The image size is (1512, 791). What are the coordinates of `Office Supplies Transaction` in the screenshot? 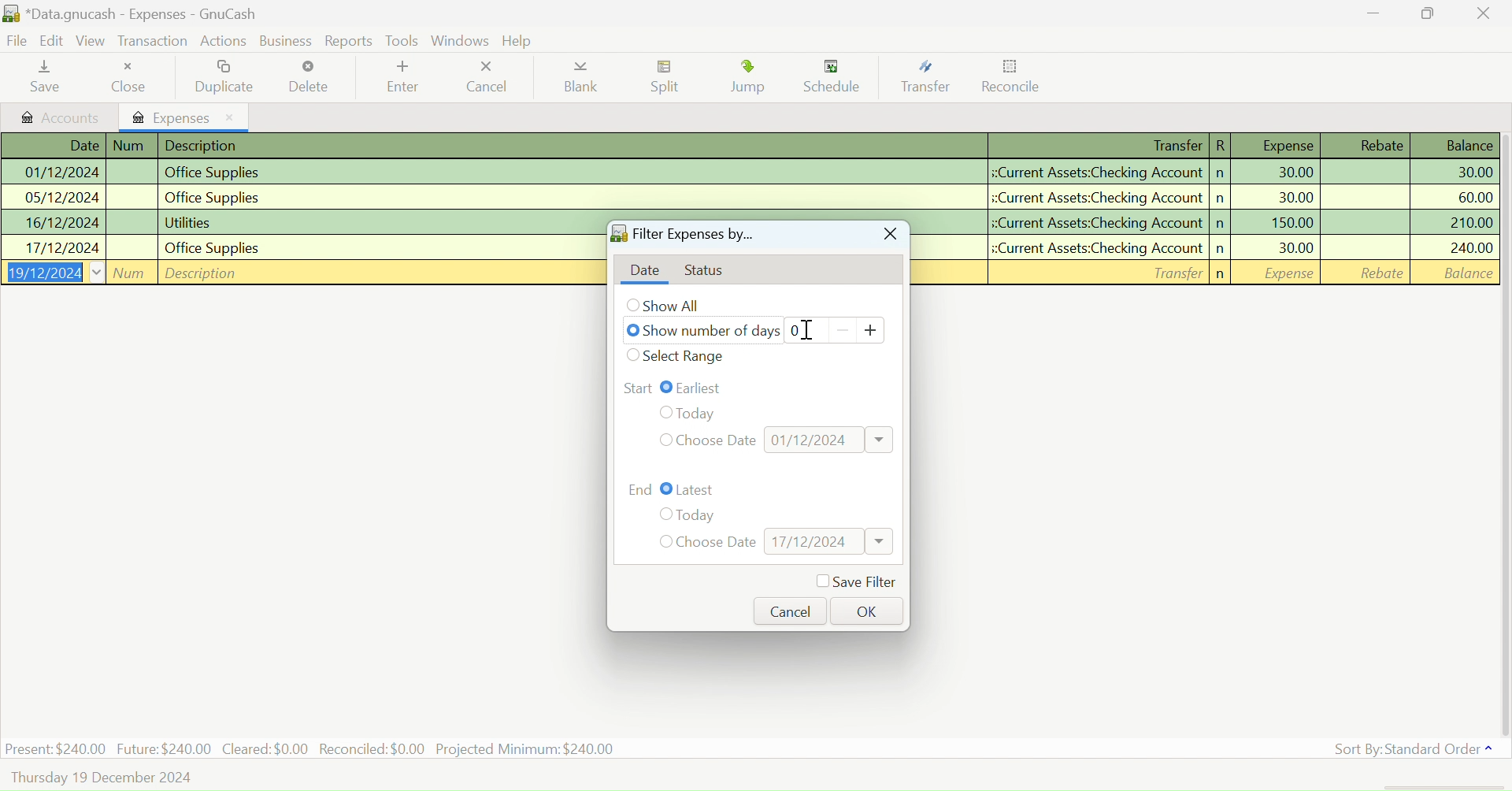 It's located at (1214, 247).